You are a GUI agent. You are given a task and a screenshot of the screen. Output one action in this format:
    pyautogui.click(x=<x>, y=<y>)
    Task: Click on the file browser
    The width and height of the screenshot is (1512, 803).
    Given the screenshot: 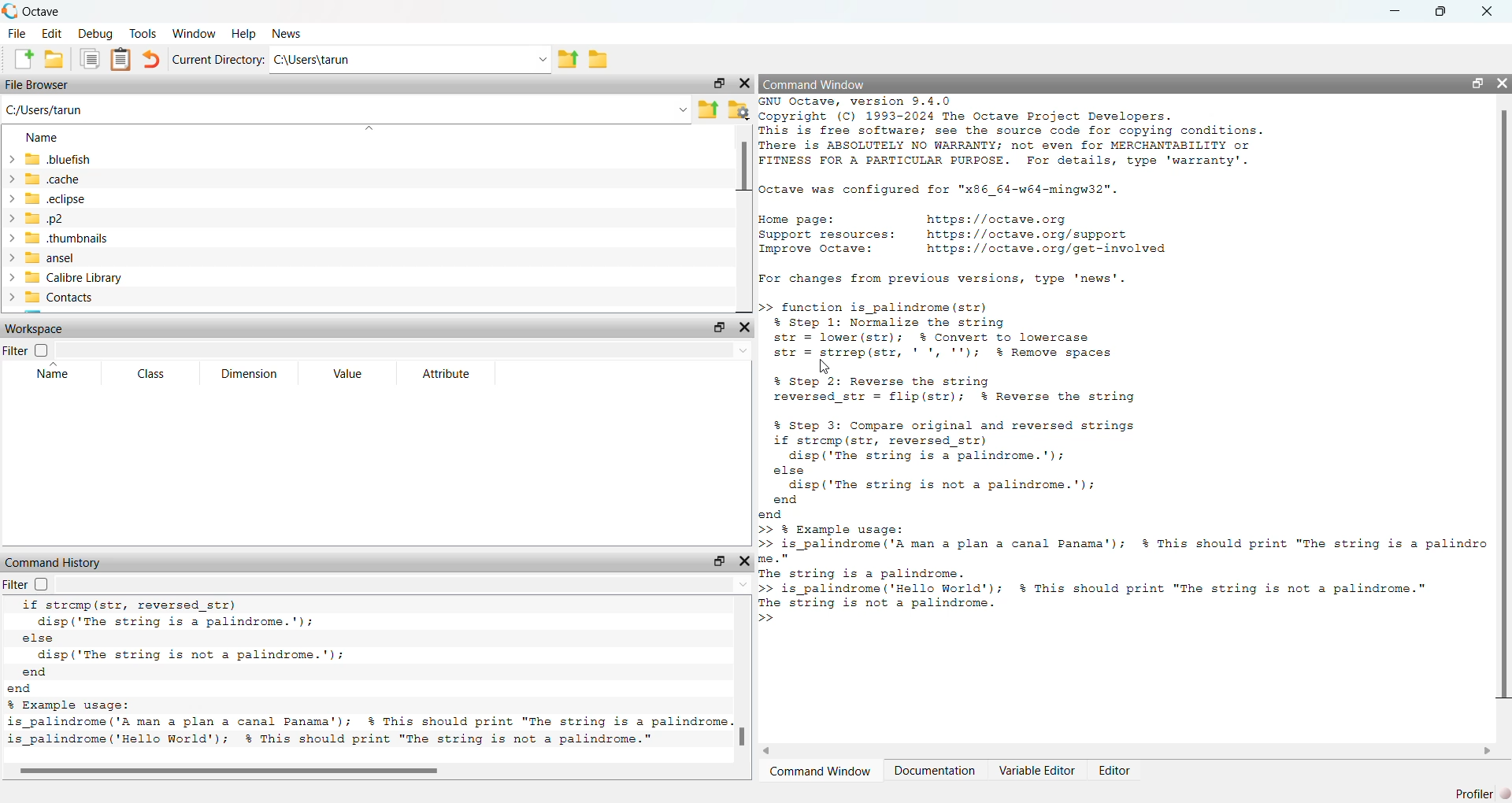 What is the action you would take?
    pyautogui.click(x=39, y=86)
    